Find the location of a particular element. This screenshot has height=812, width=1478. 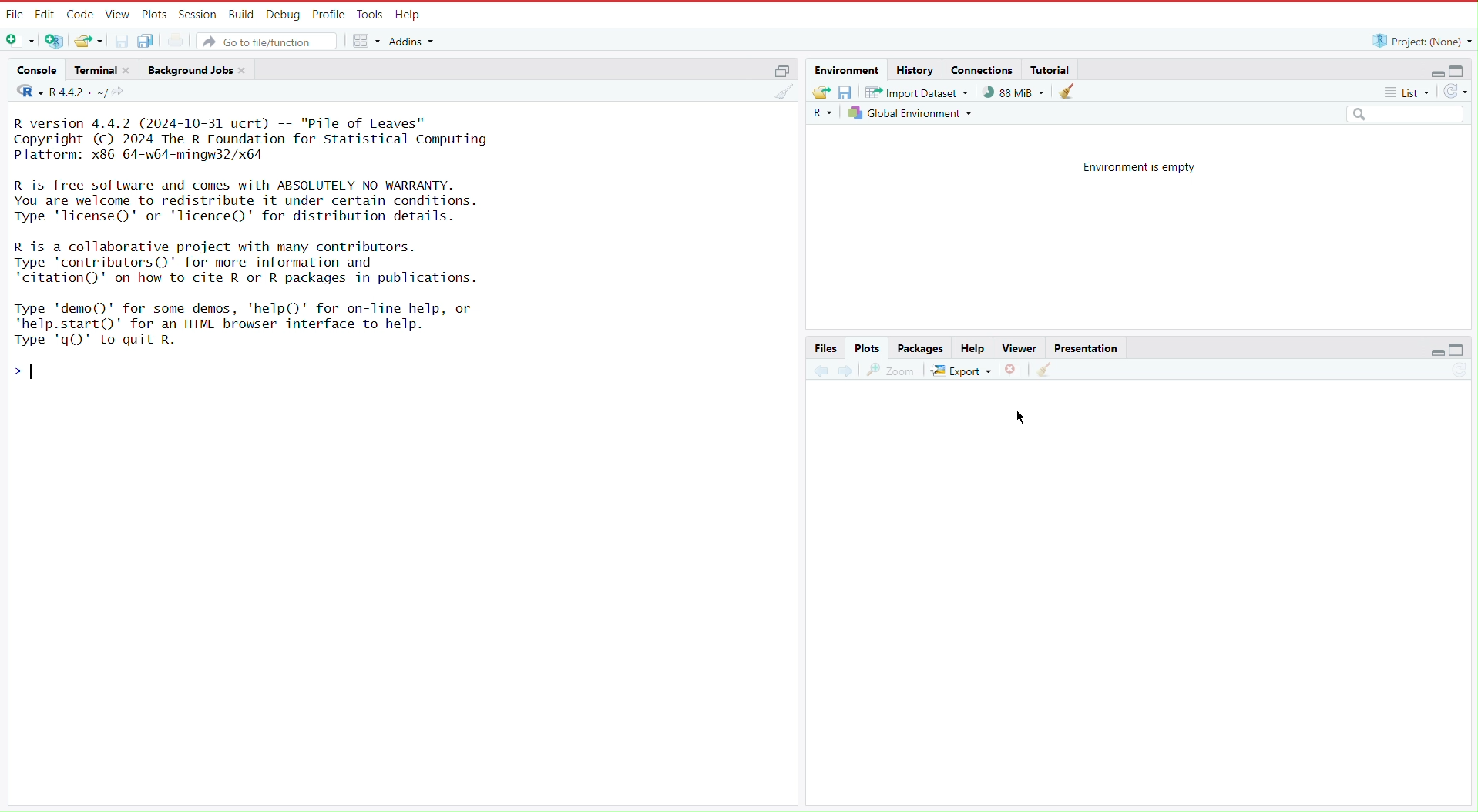

Zoom is located at coordinates (892, 367).